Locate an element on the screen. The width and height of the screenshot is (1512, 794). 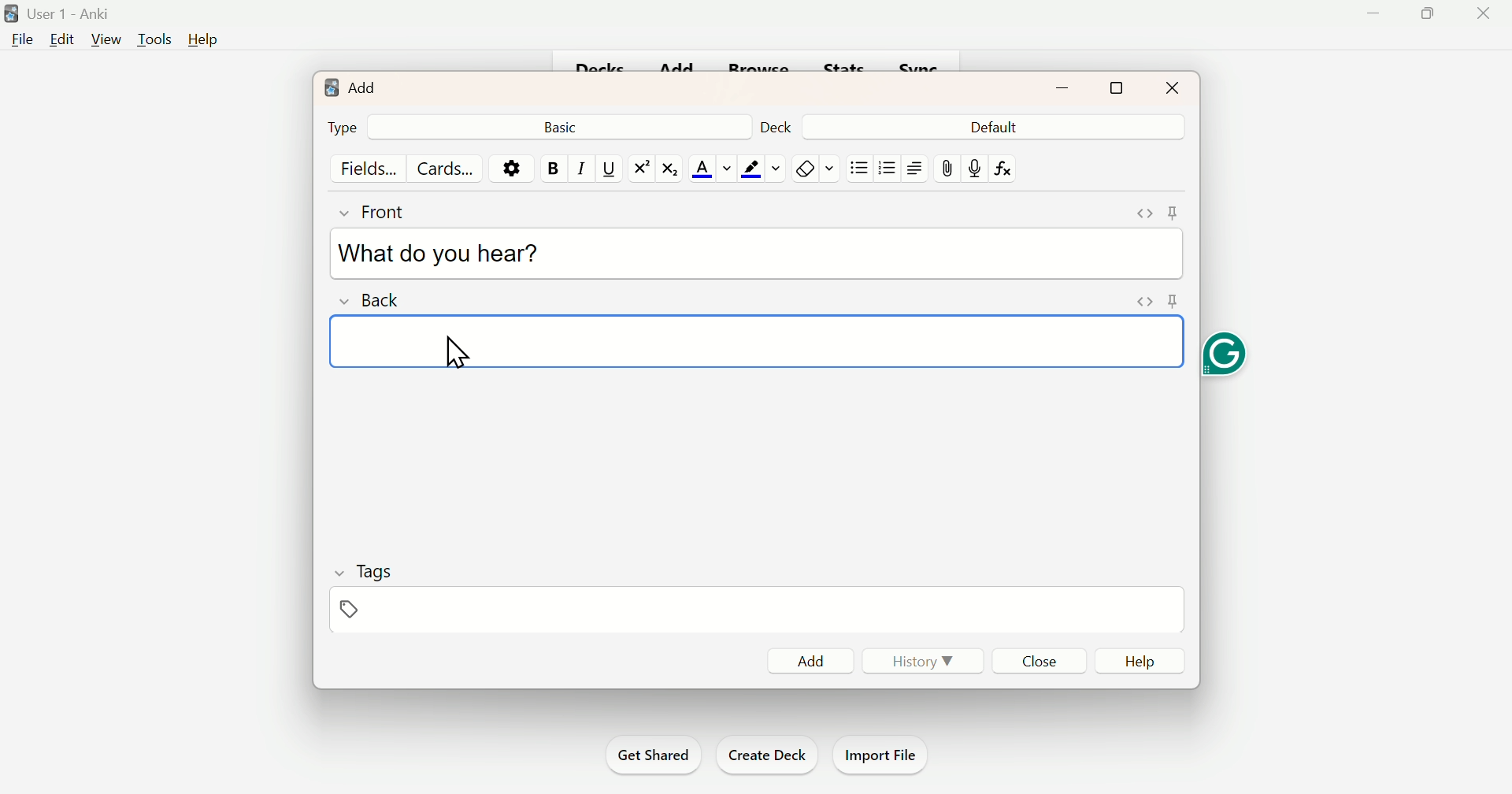
Tools is located at coordinates (153, 40).